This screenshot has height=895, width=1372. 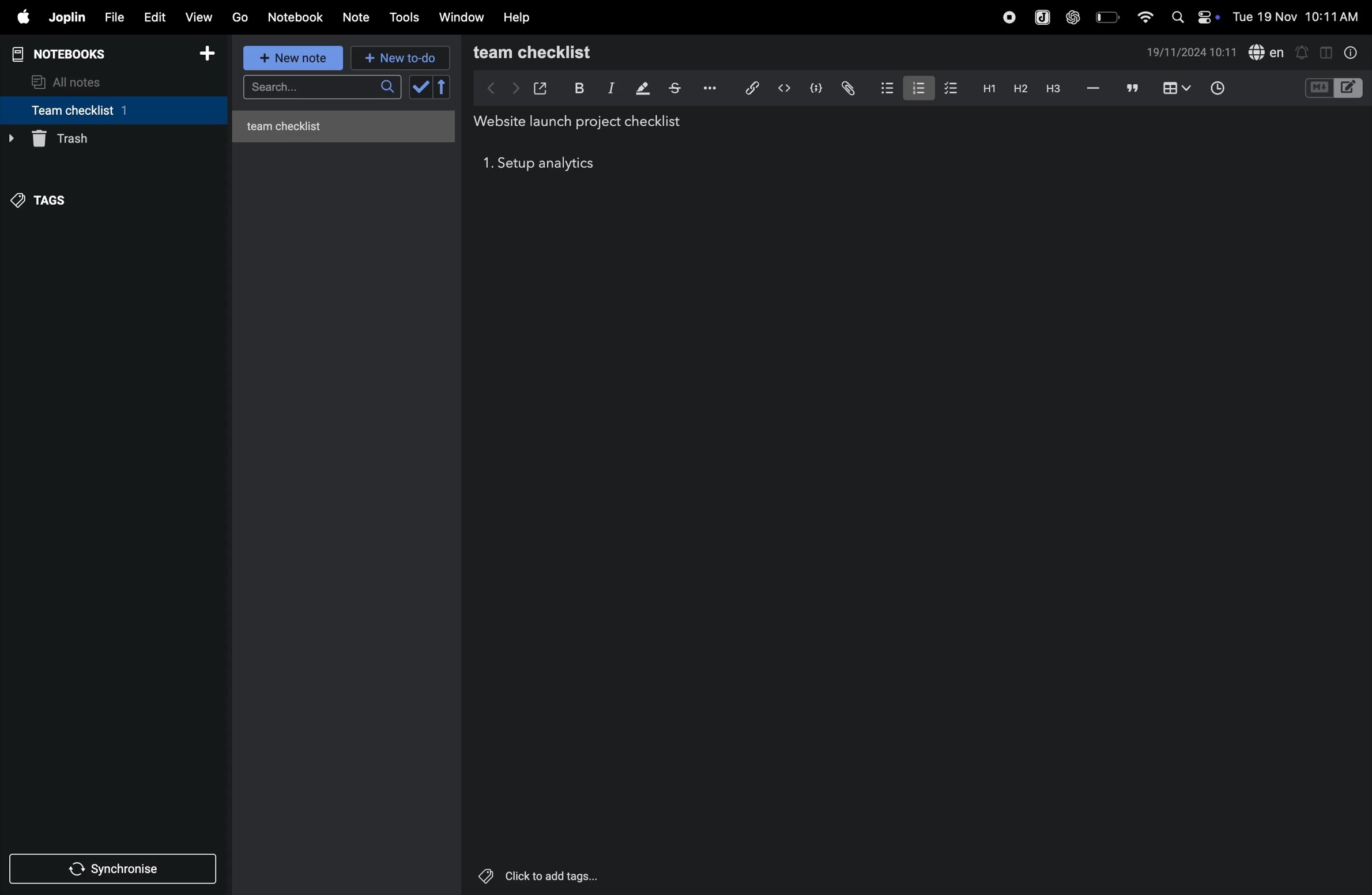 What do you see at coordinates (1039, 16) in the screenshot?
I see `joplin` at bounding box center [1039, 16].